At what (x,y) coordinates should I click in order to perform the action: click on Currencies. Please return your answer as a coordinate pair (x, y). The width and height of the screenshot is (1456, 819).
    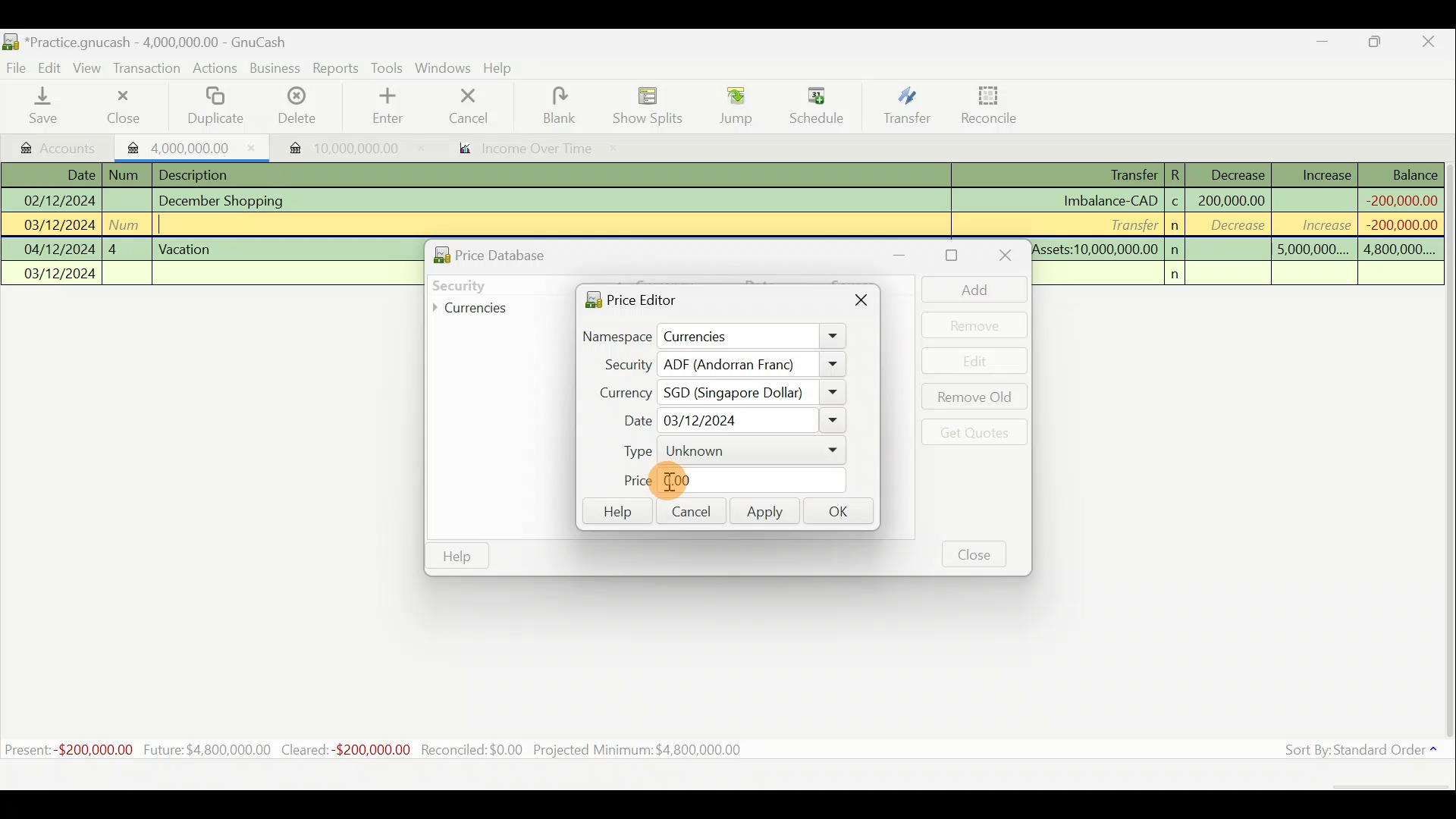
    Looking at the image, I should click on (481, 309).